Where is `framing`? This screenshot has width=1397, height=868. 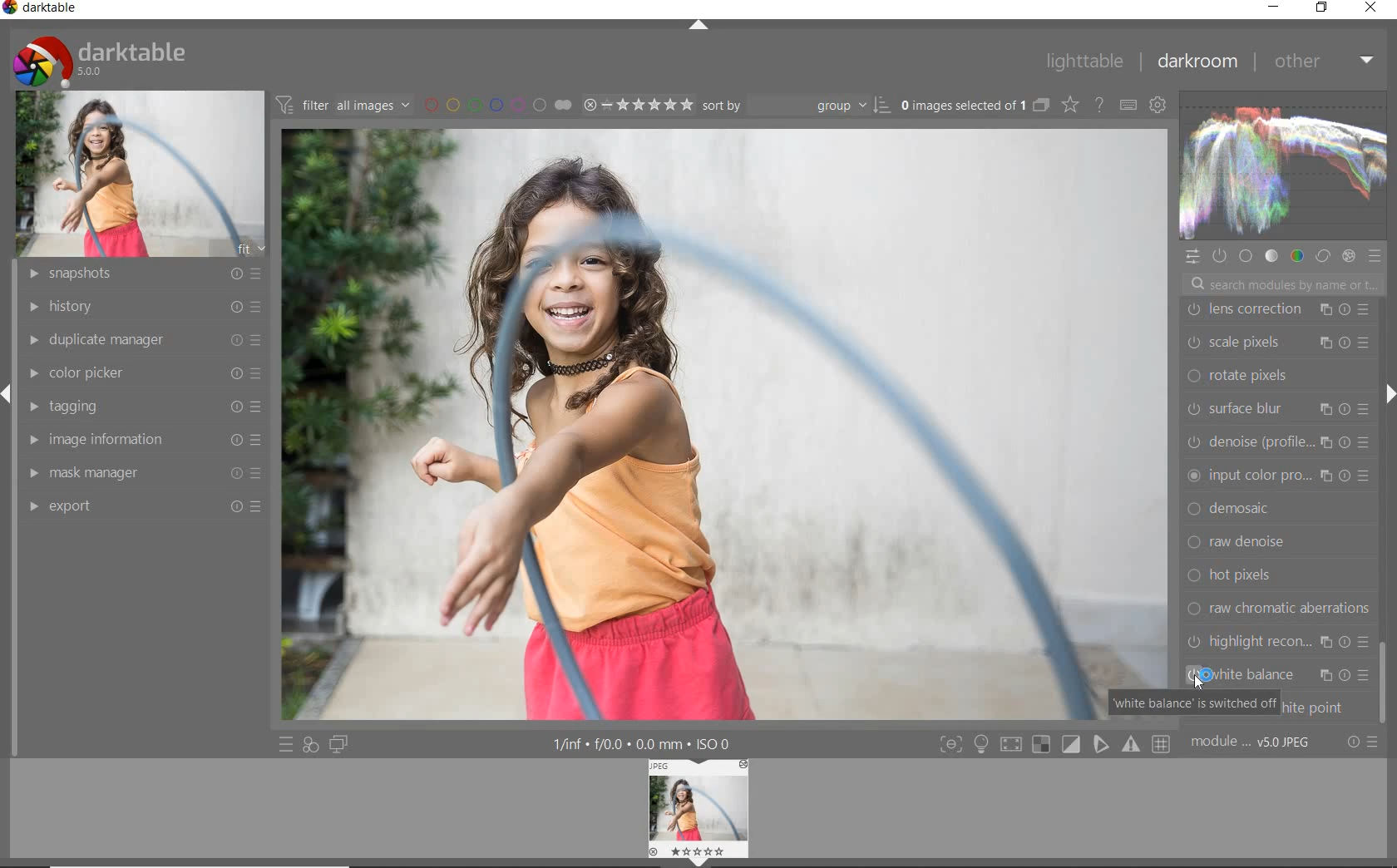 framing is located at coordinates (1277, 343).